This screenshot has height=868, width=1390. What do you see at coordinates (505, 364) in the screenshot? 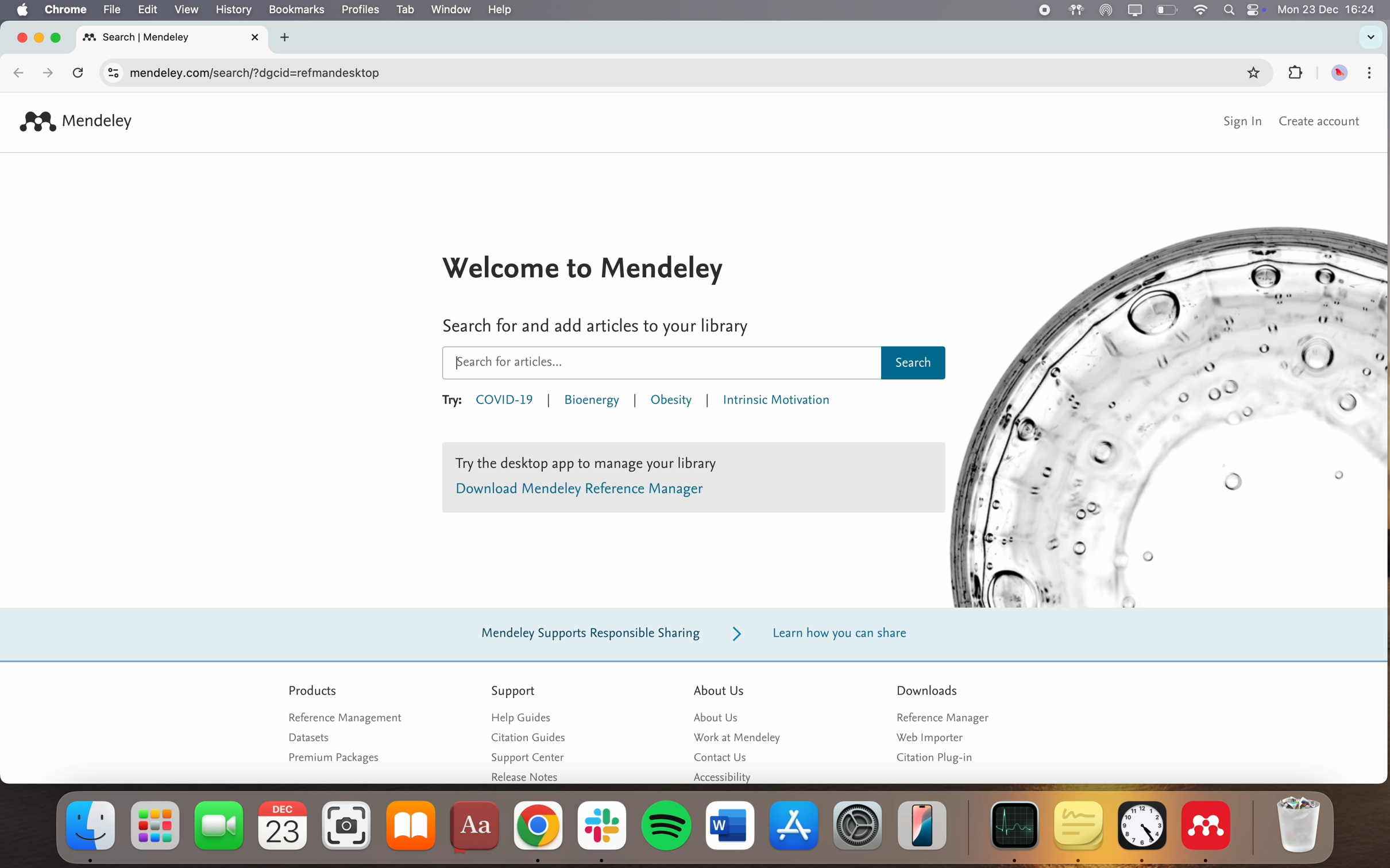
I see `type` at bounding box center [505, 364].